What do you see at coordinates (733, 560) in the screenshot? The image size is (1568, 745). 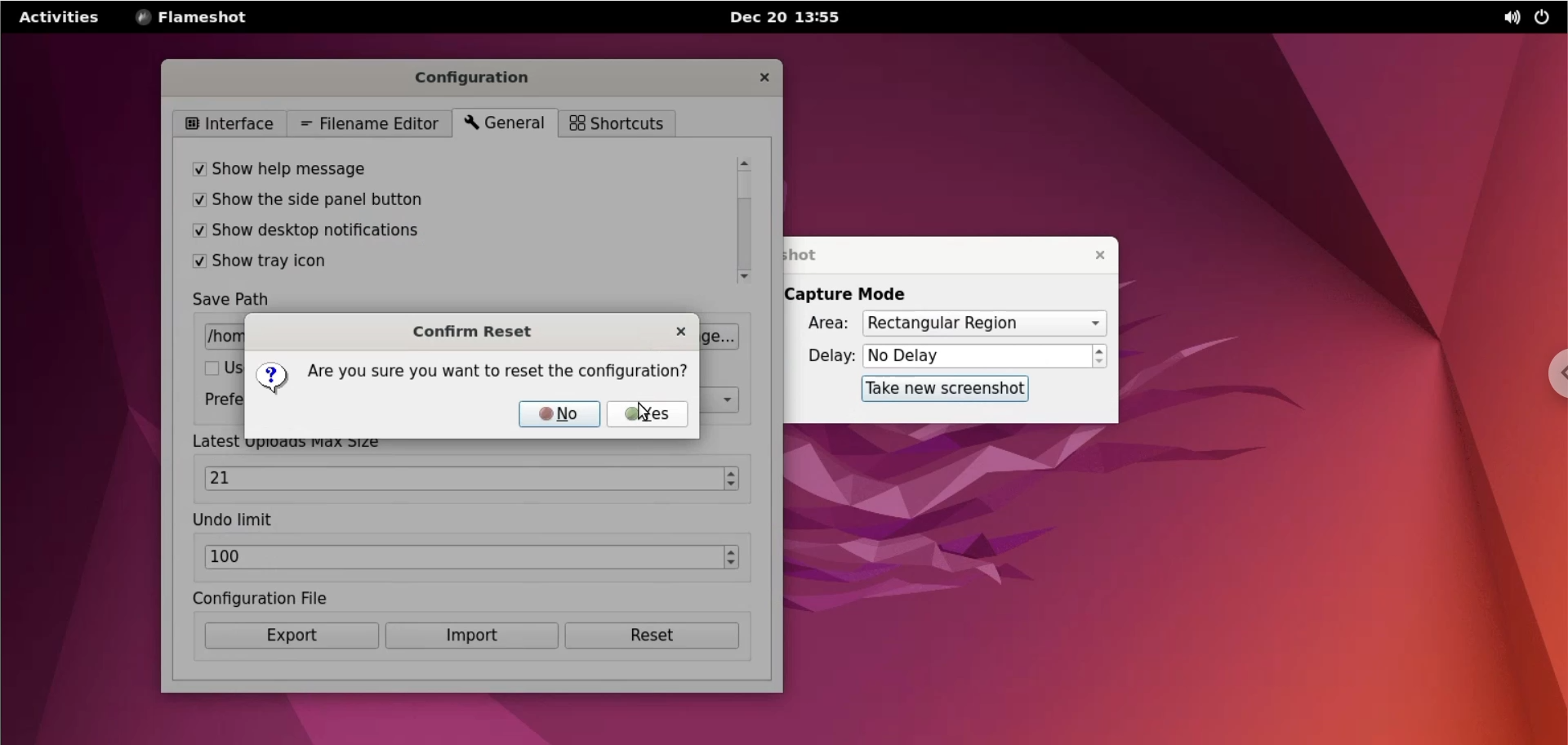 I see `increment and decrement ` at bounding box center [733, 560].